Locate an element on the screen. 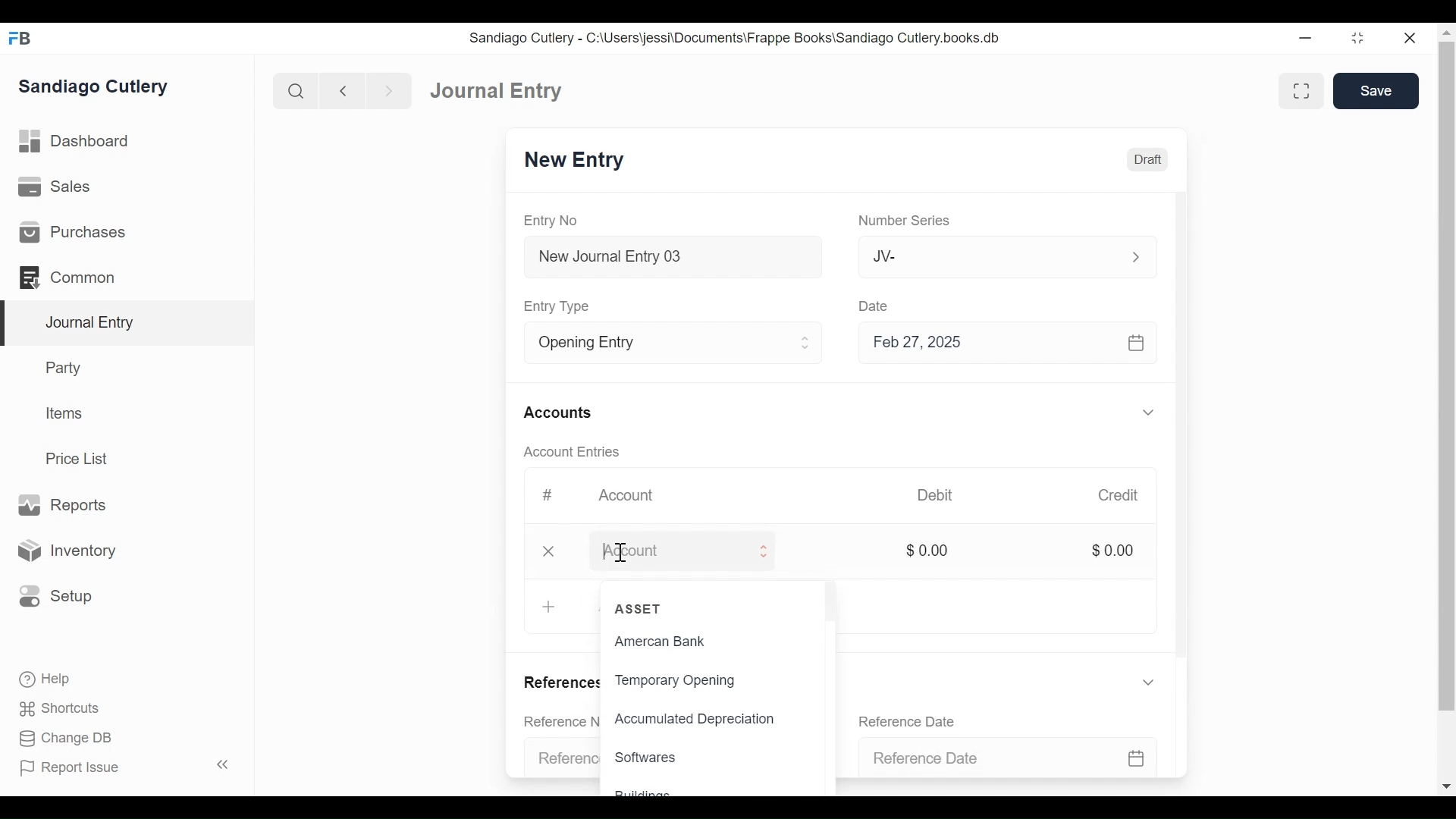  Expand is located at coordinates (1149, 411).